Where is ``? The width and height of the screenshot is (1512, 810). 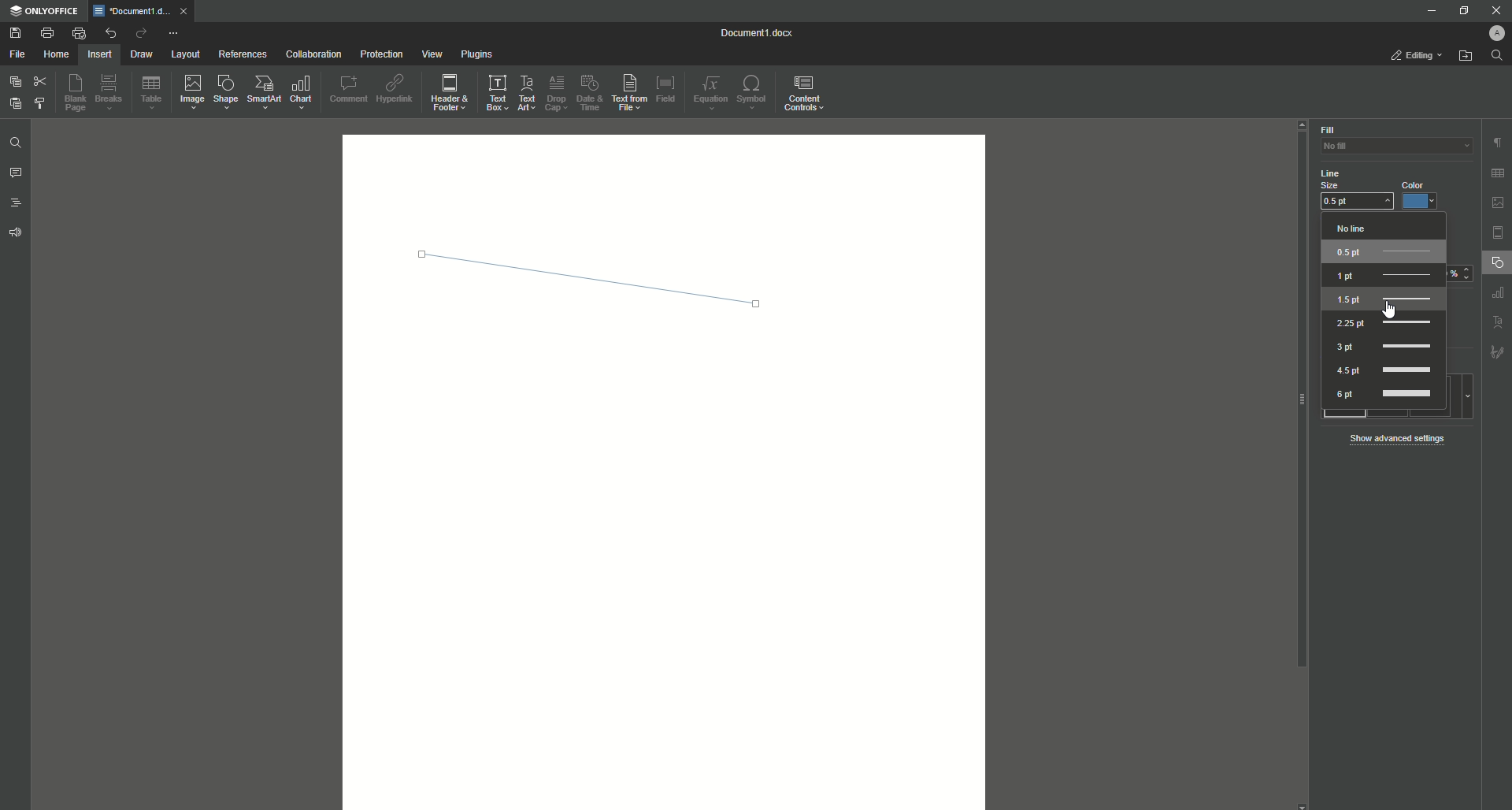
 is located at coordinates (1295, 486).